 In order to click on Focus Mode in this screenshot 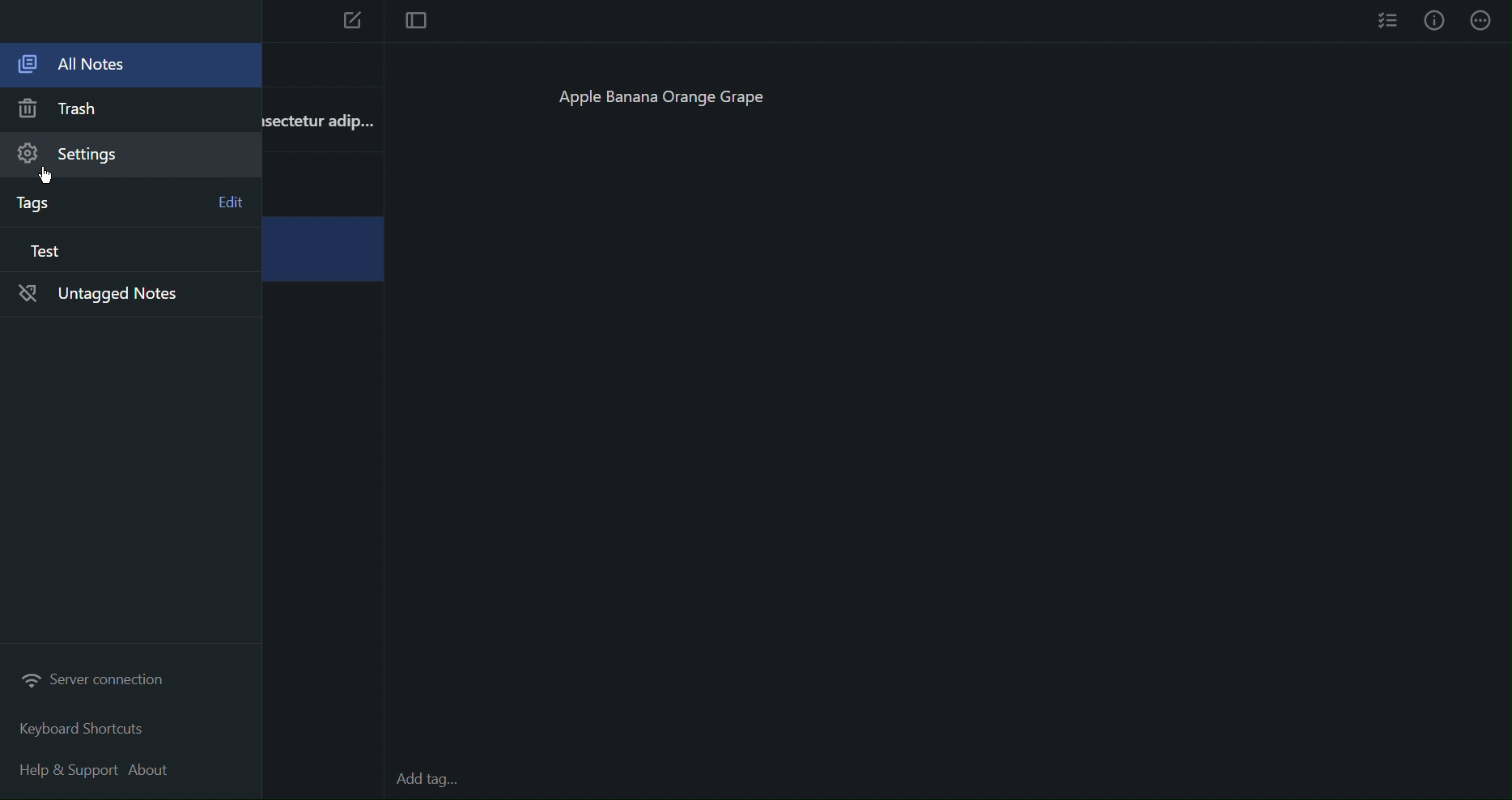, I will do `click(414, 22)`.